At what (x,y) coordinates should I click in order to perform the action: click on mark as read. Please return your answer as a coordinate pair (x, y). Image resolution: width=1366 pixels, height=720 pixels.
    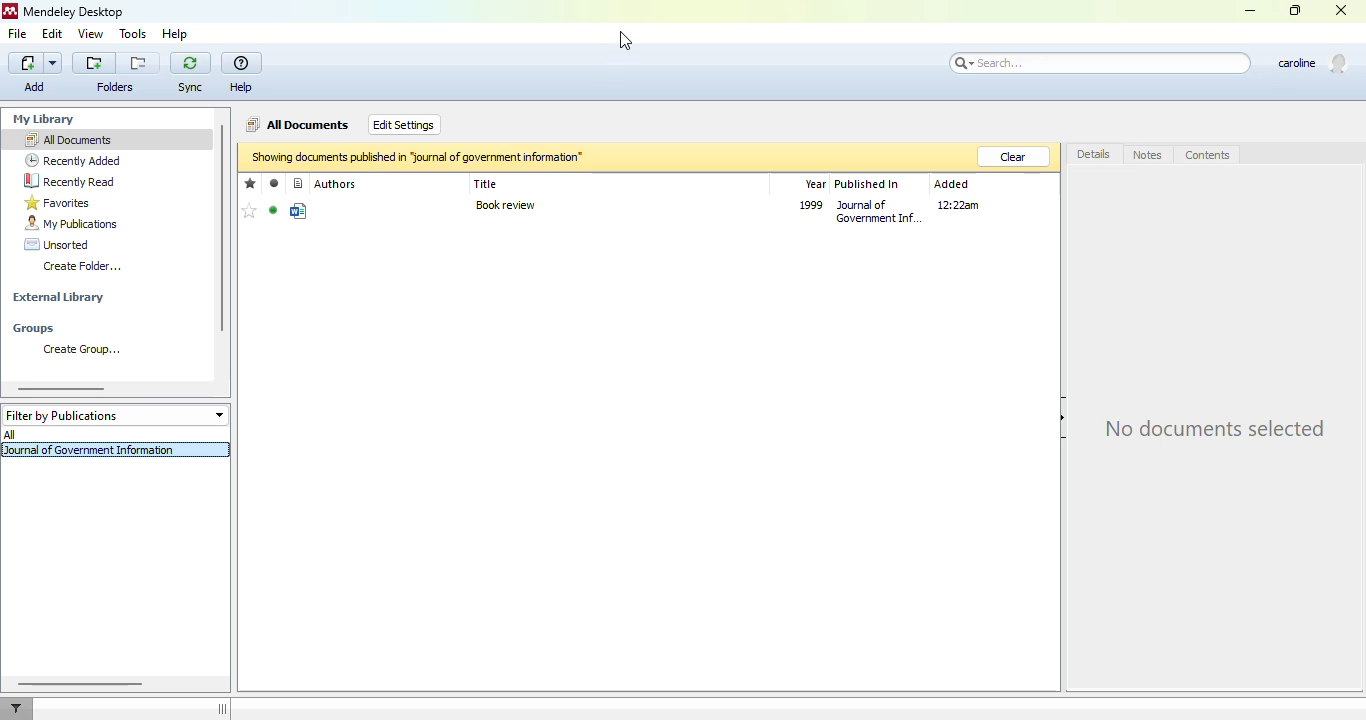
    Looking at the image, I should click on (273, 210).